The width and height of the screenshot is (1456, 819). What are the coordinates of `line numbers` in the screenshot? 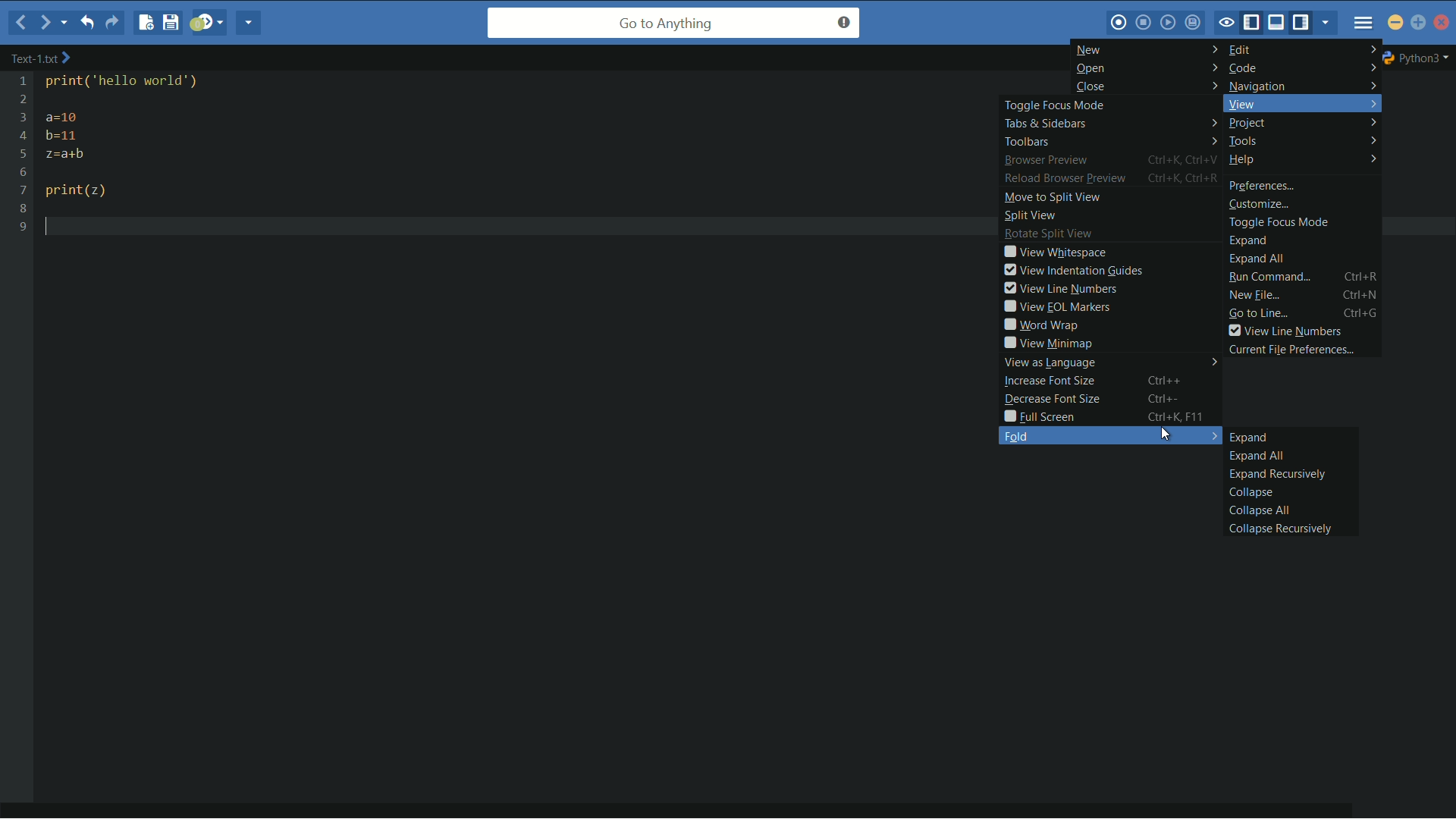 It's located at (22, 154).